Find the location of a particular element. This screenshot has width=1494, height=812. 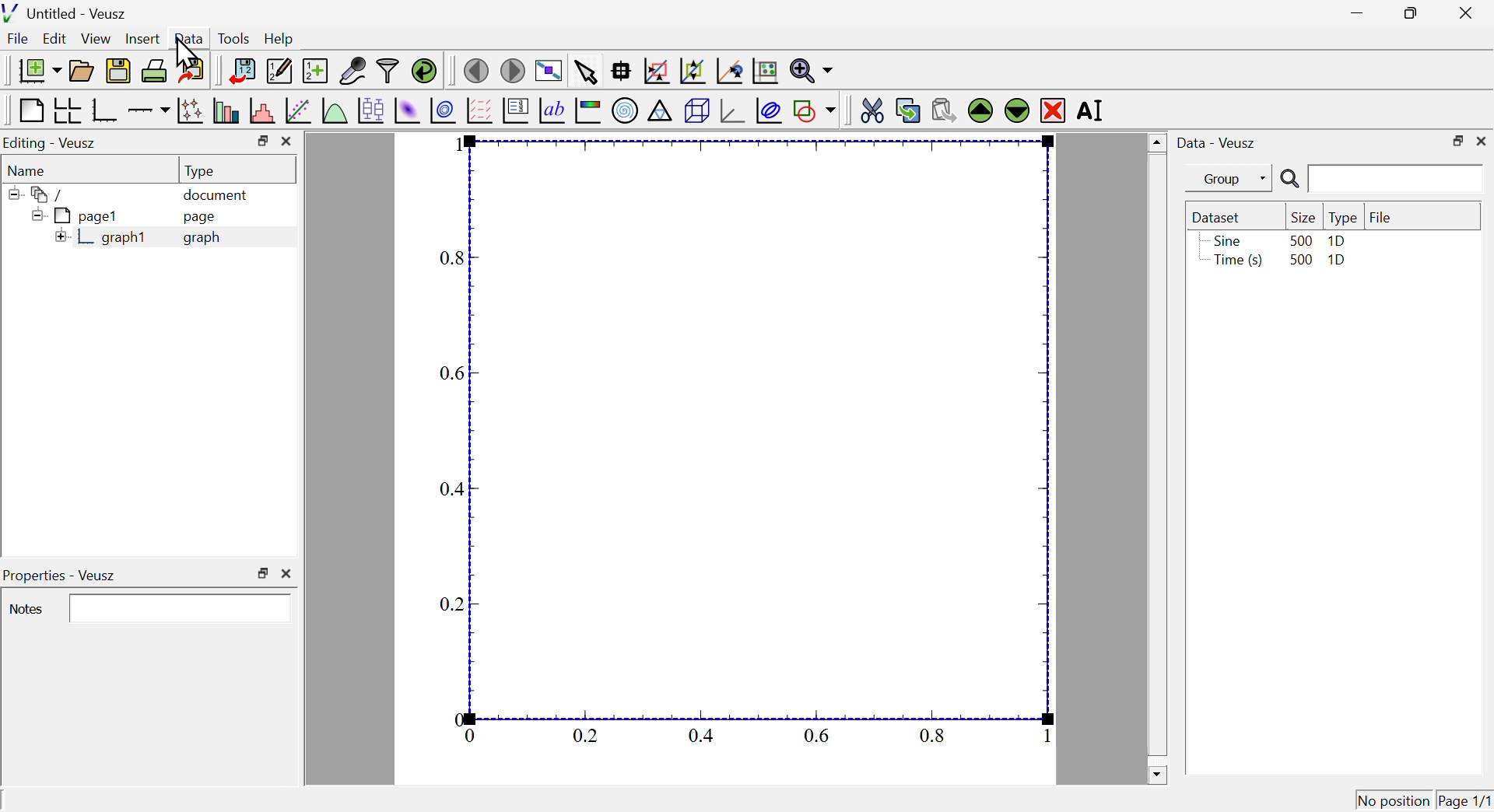

type is located at coordinates (1343, 218).